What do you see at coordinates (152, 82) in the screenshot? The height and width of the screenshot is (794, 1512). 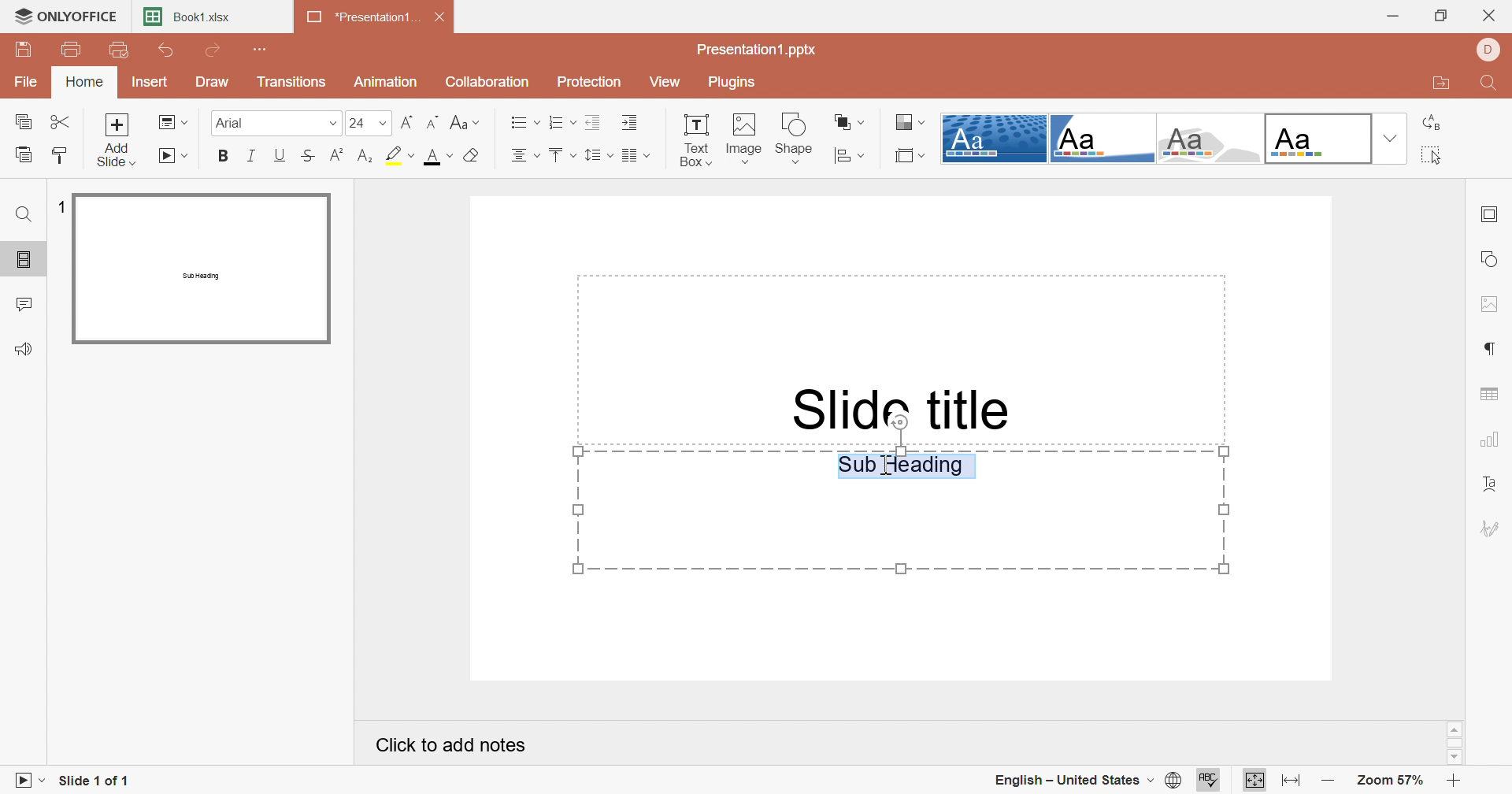 I see `Insert` at bounding box center [152, 82].